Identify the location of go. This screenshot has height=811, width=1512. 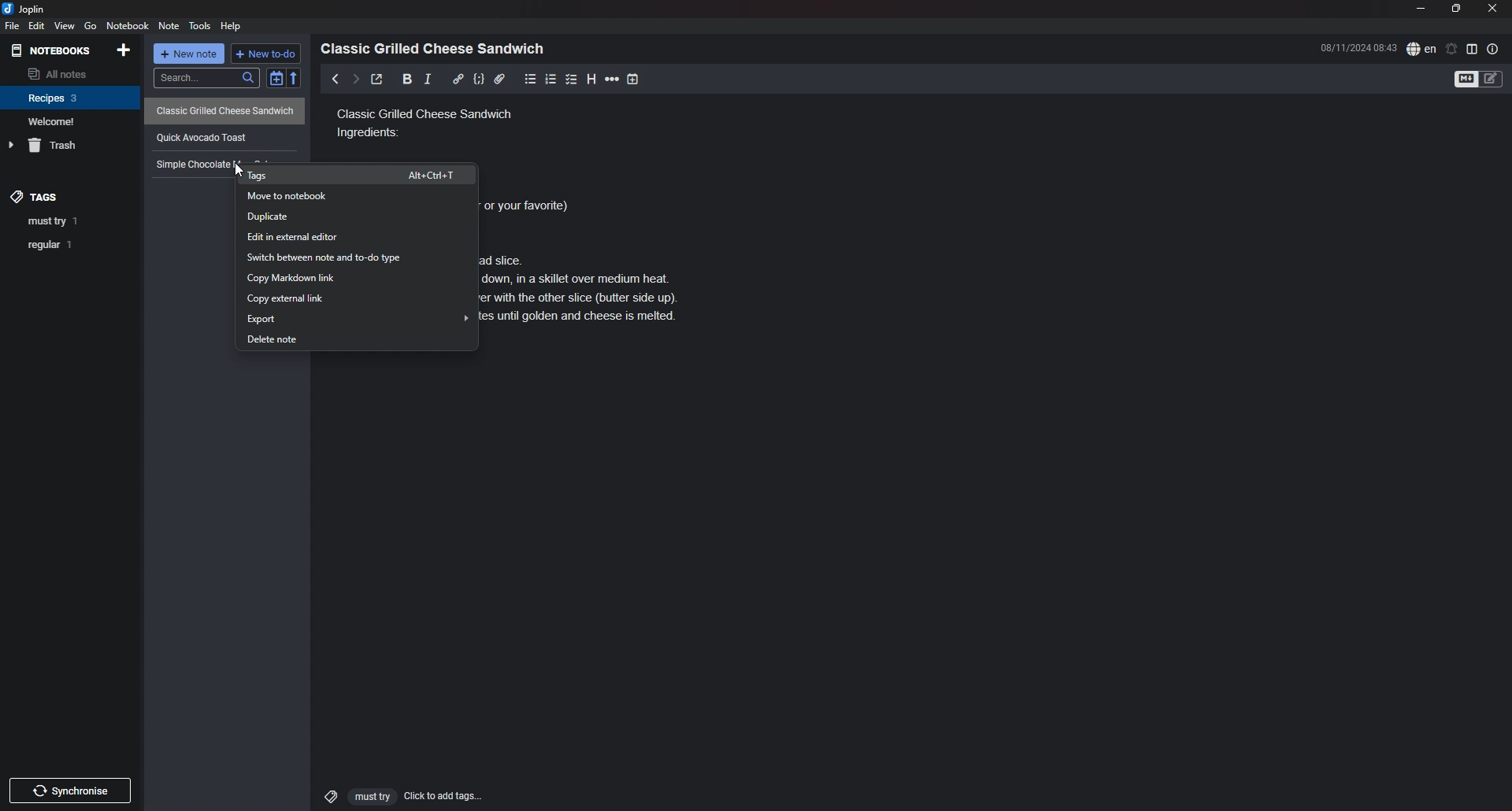
(91, 25).